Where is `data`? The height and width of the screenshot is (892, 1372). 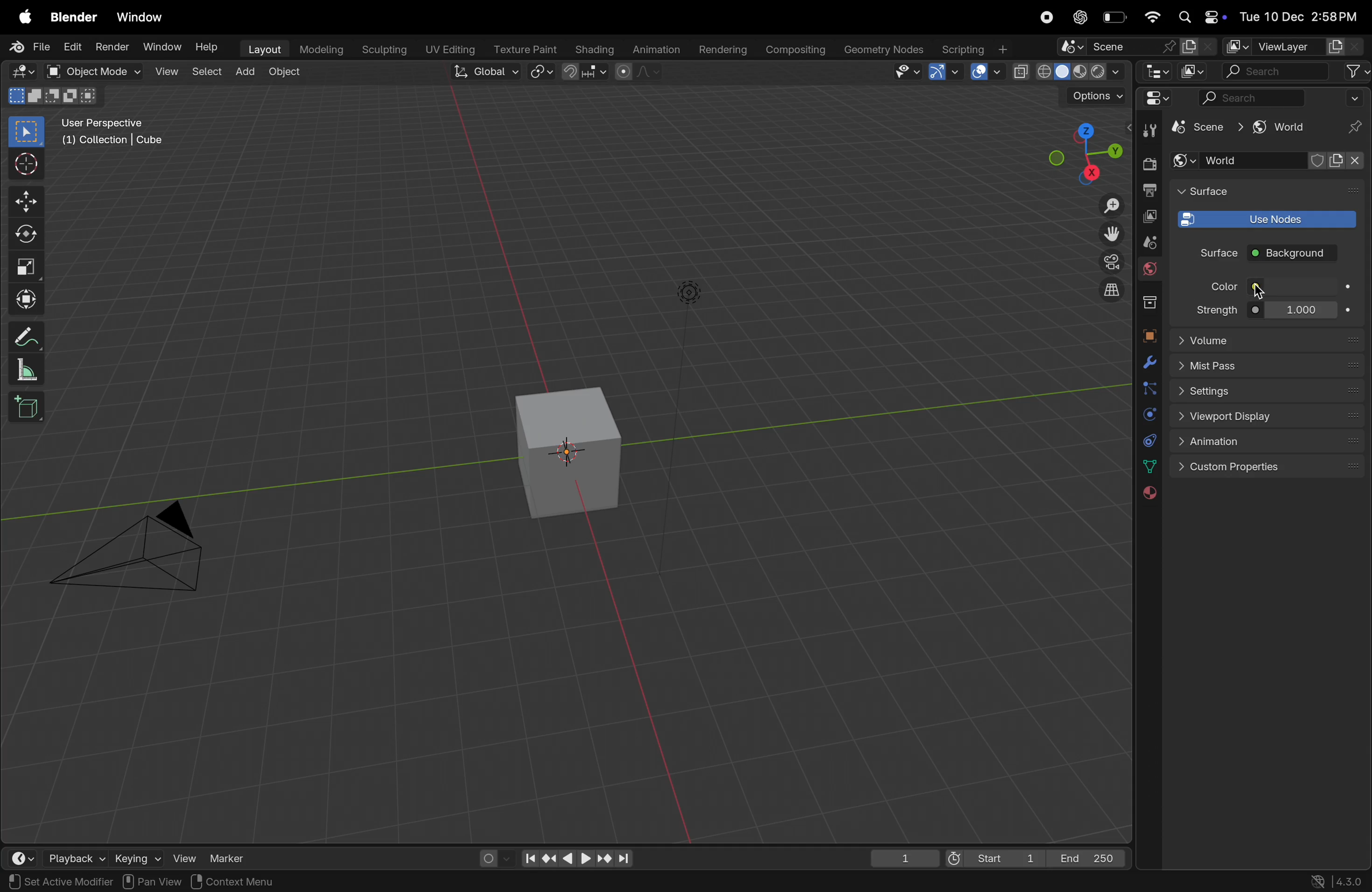
data is located at coordinates (1151, 466).